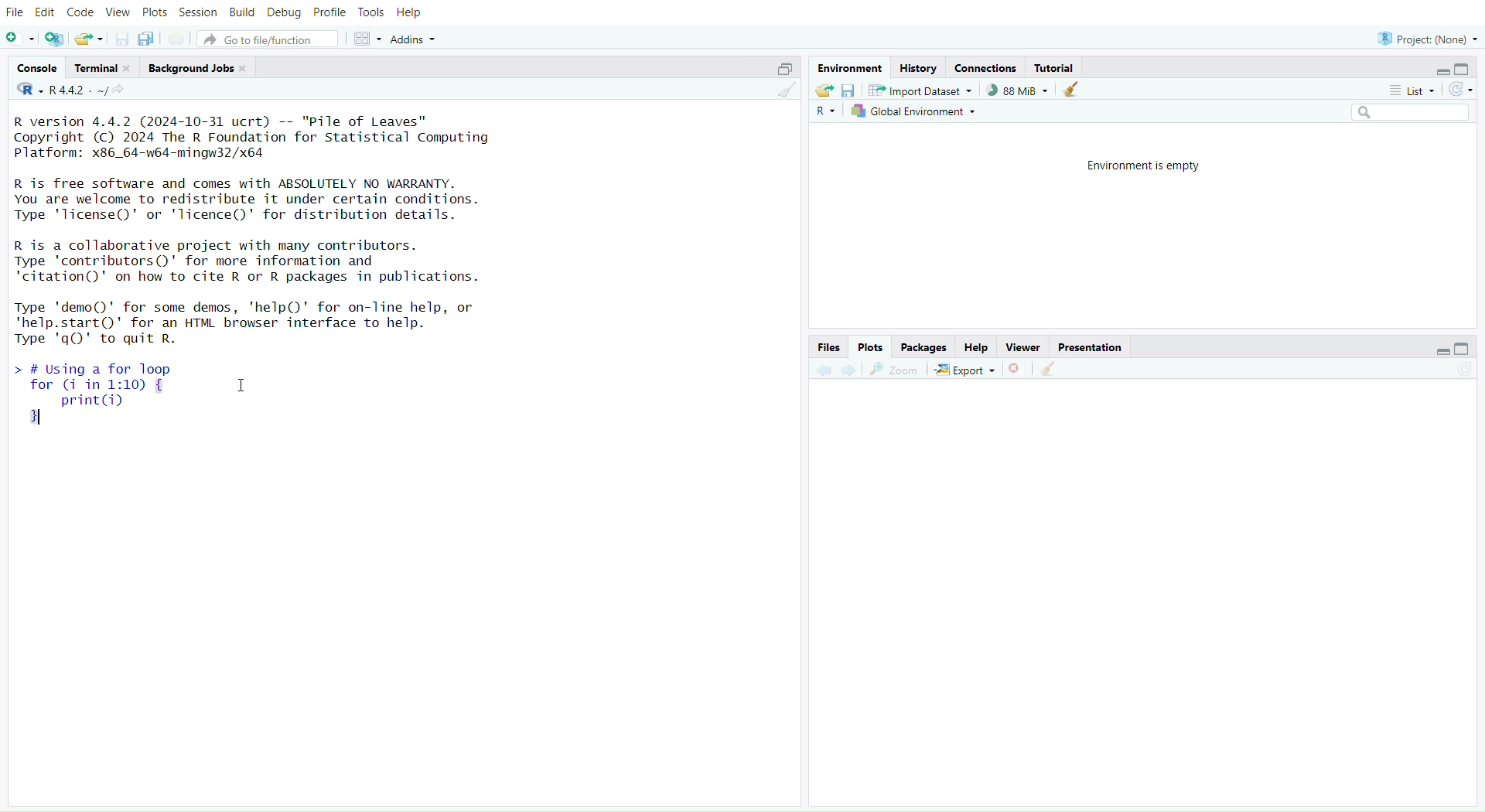 The height and width of the screenshot is (812, 1485). Describe the element at coordinates (920, 91) in the screenshot. I see `import dataset` at that location.